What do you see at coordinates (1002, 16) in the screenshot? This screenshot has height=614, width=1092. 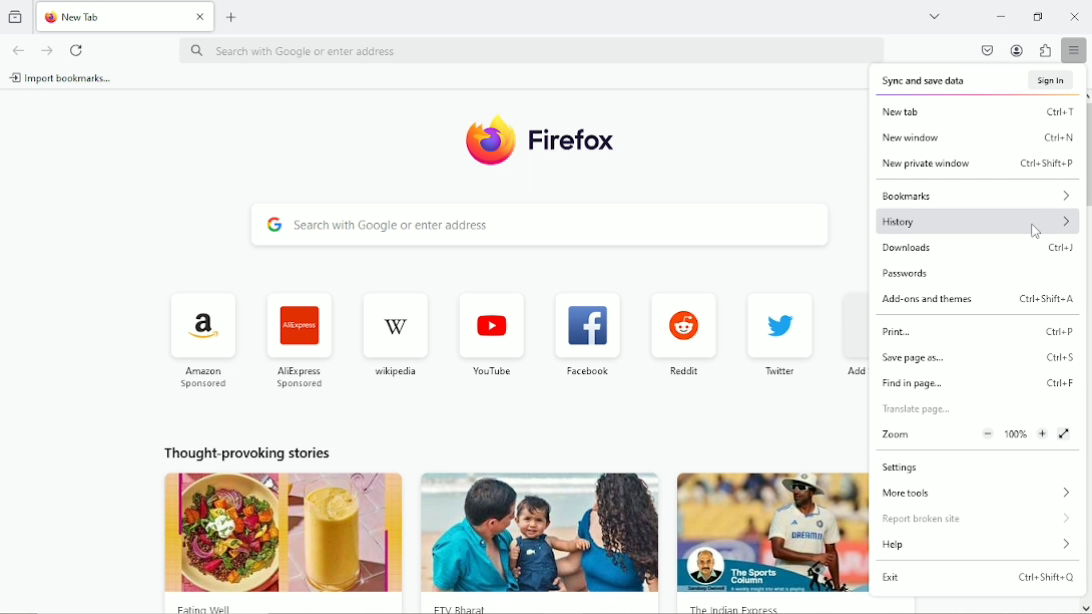 I see `minimize` at bounding box center [1002, 16].